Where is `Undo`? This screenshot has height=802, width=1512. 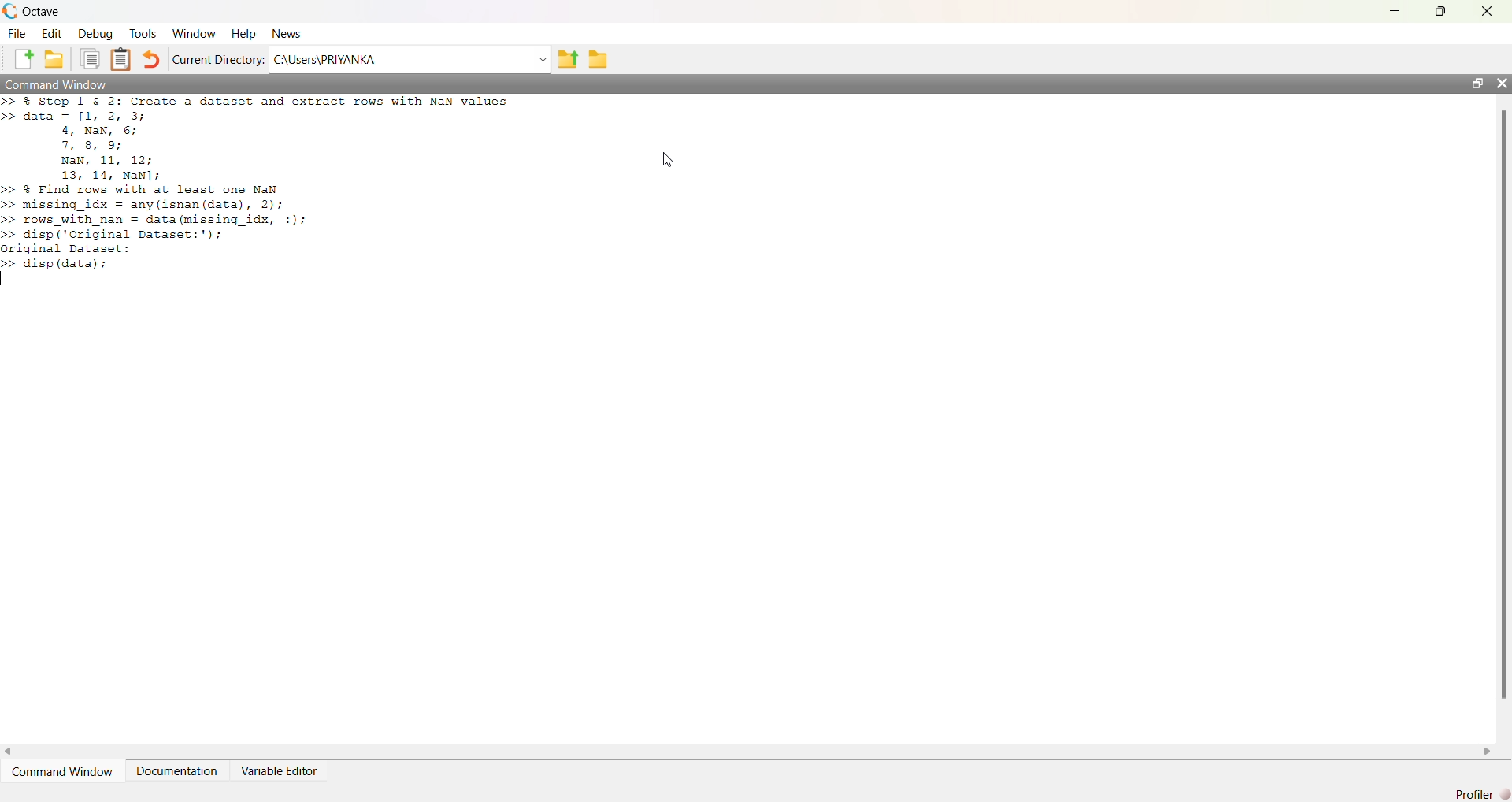
Undo is located at coordinates (150, 59).